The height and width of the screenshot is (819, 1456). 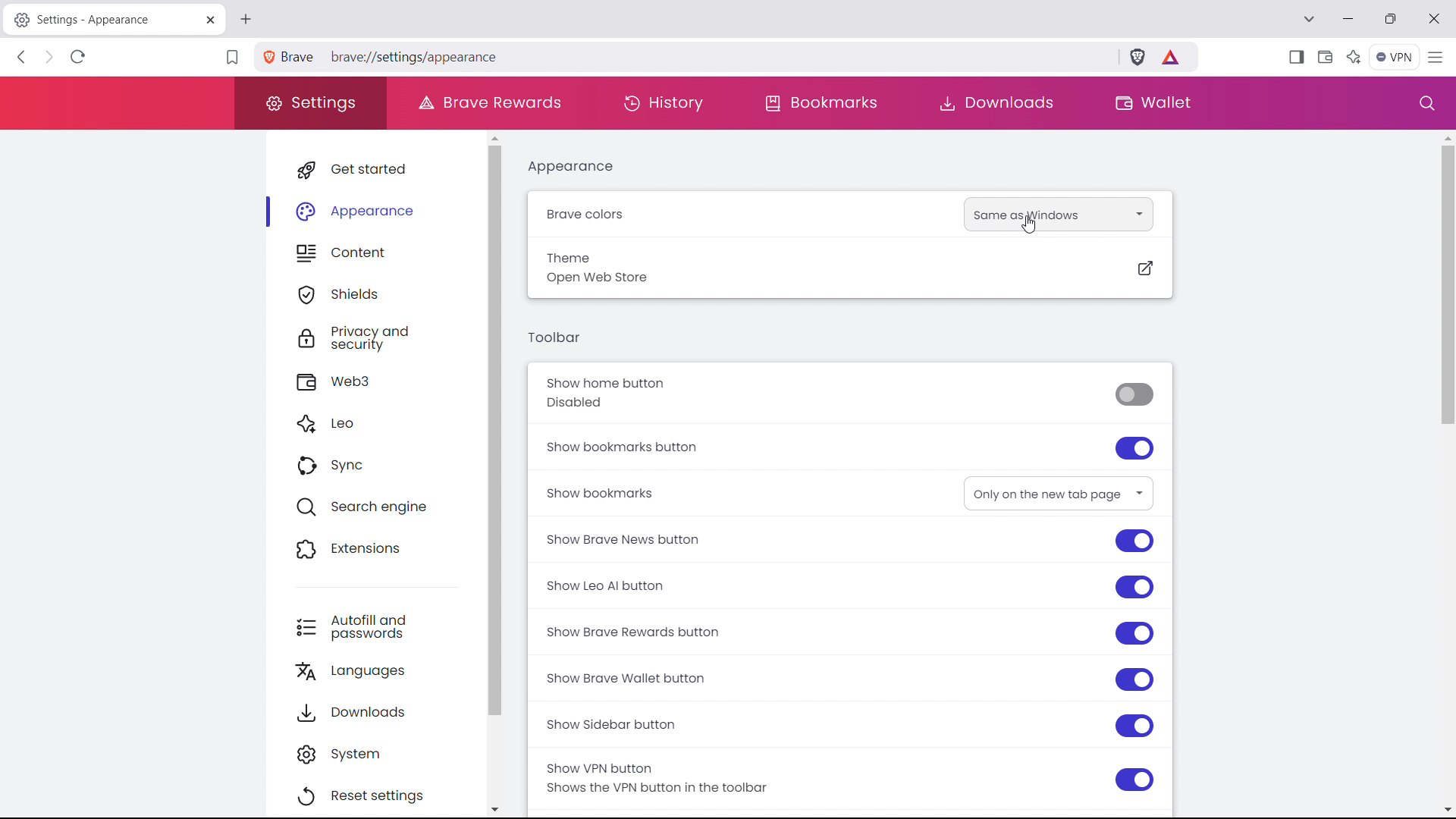 What do you see at coordinates (101, 20) in the screenshot?
I see `Settings - Appearance` at bounding box center [101, 20].